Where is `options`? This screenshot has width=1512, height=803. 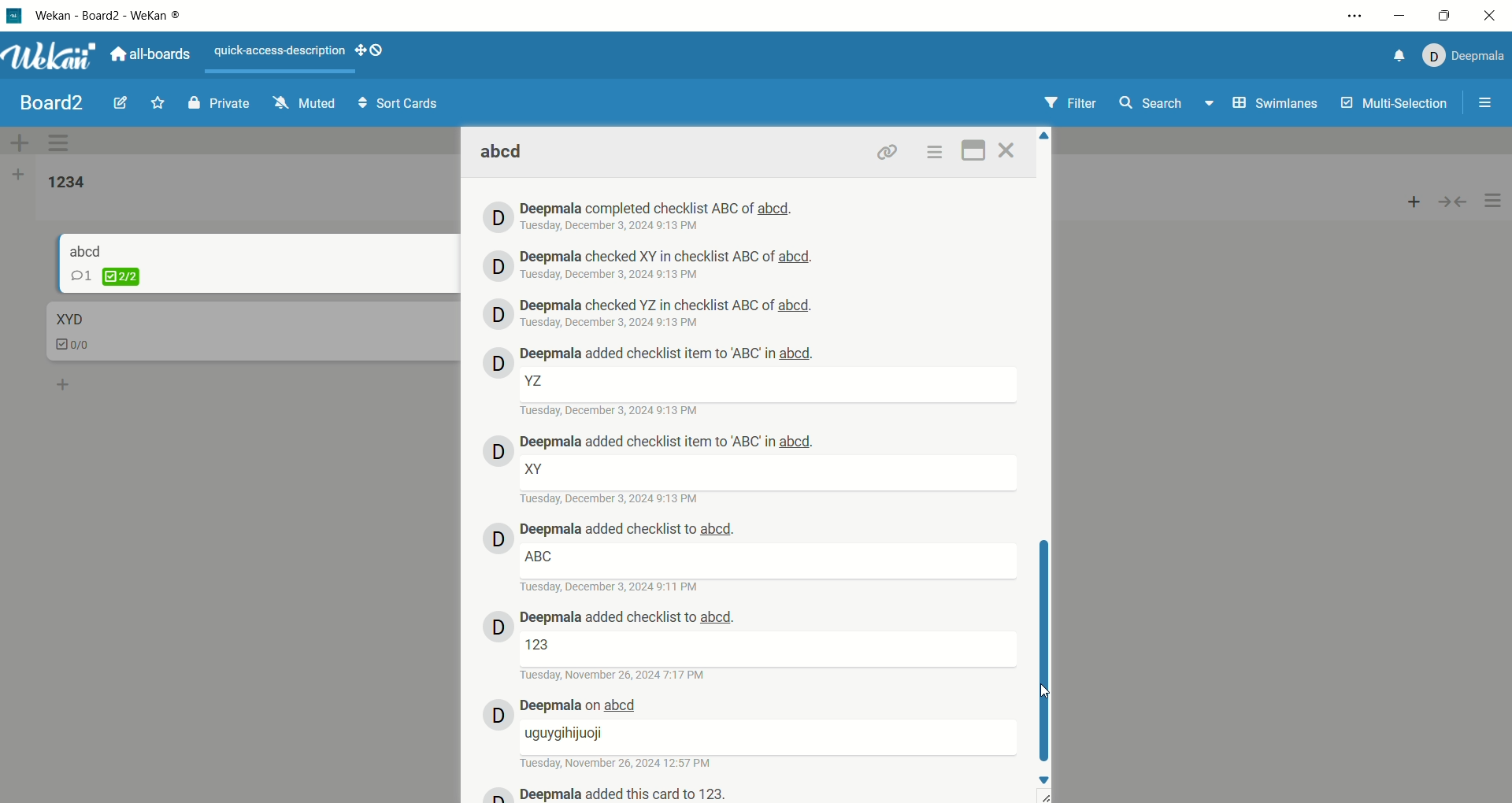
options is located at coordinates (934, 152).